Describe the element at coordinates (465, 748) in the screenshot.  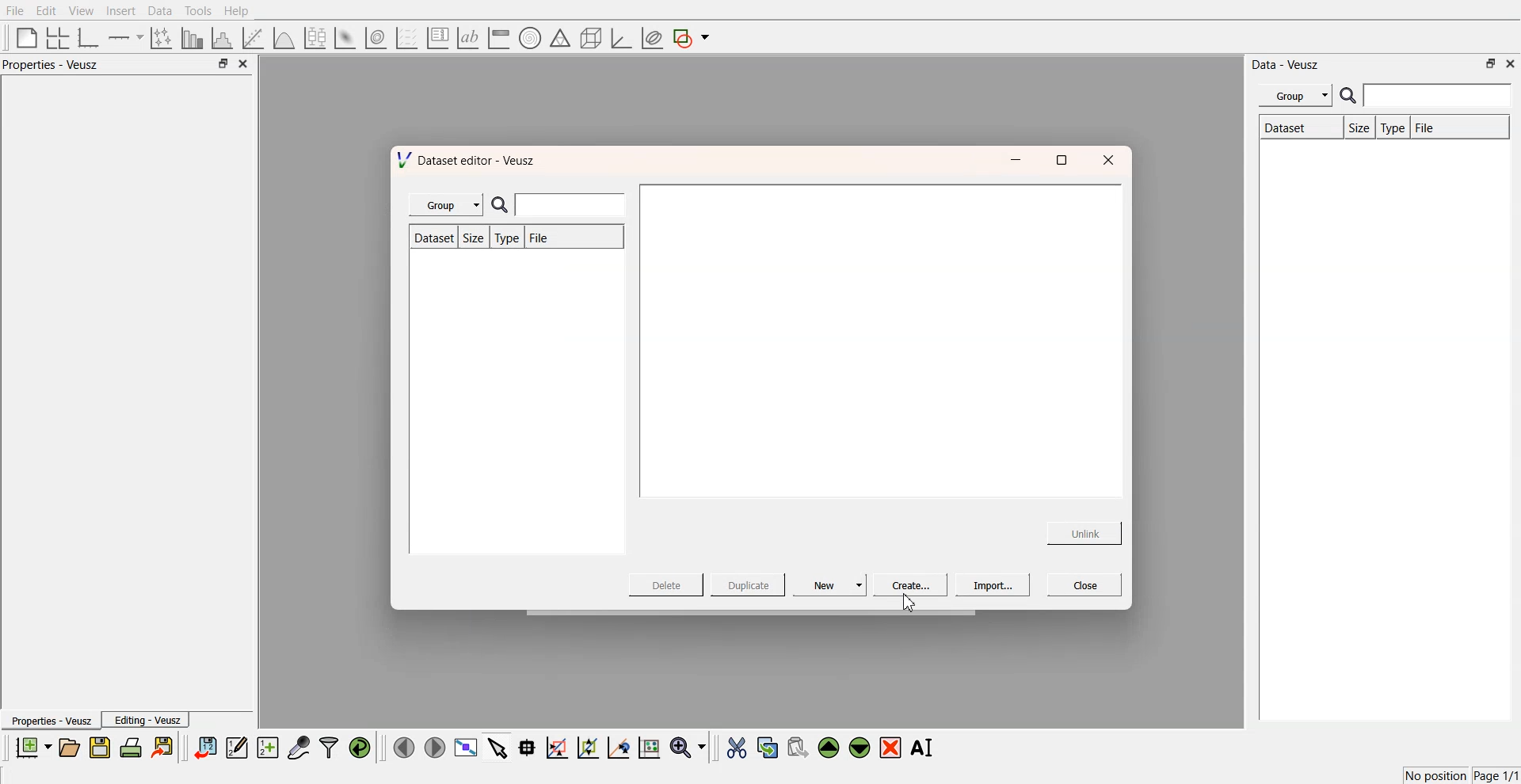
I see `view plot full screen` at that location.